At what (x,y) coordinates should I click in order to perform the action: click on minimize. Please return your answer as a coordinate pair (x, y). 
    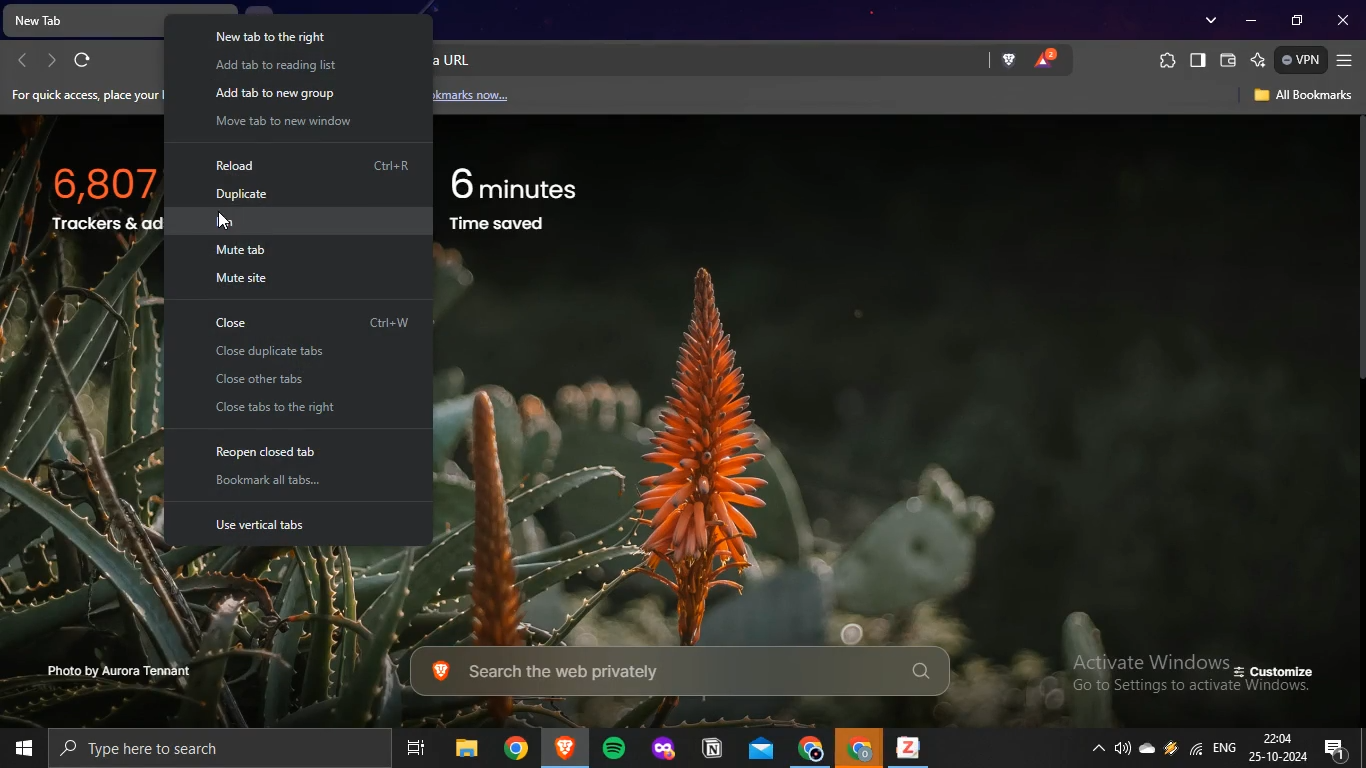
    Looking at the image, I should click on (1254, 19).